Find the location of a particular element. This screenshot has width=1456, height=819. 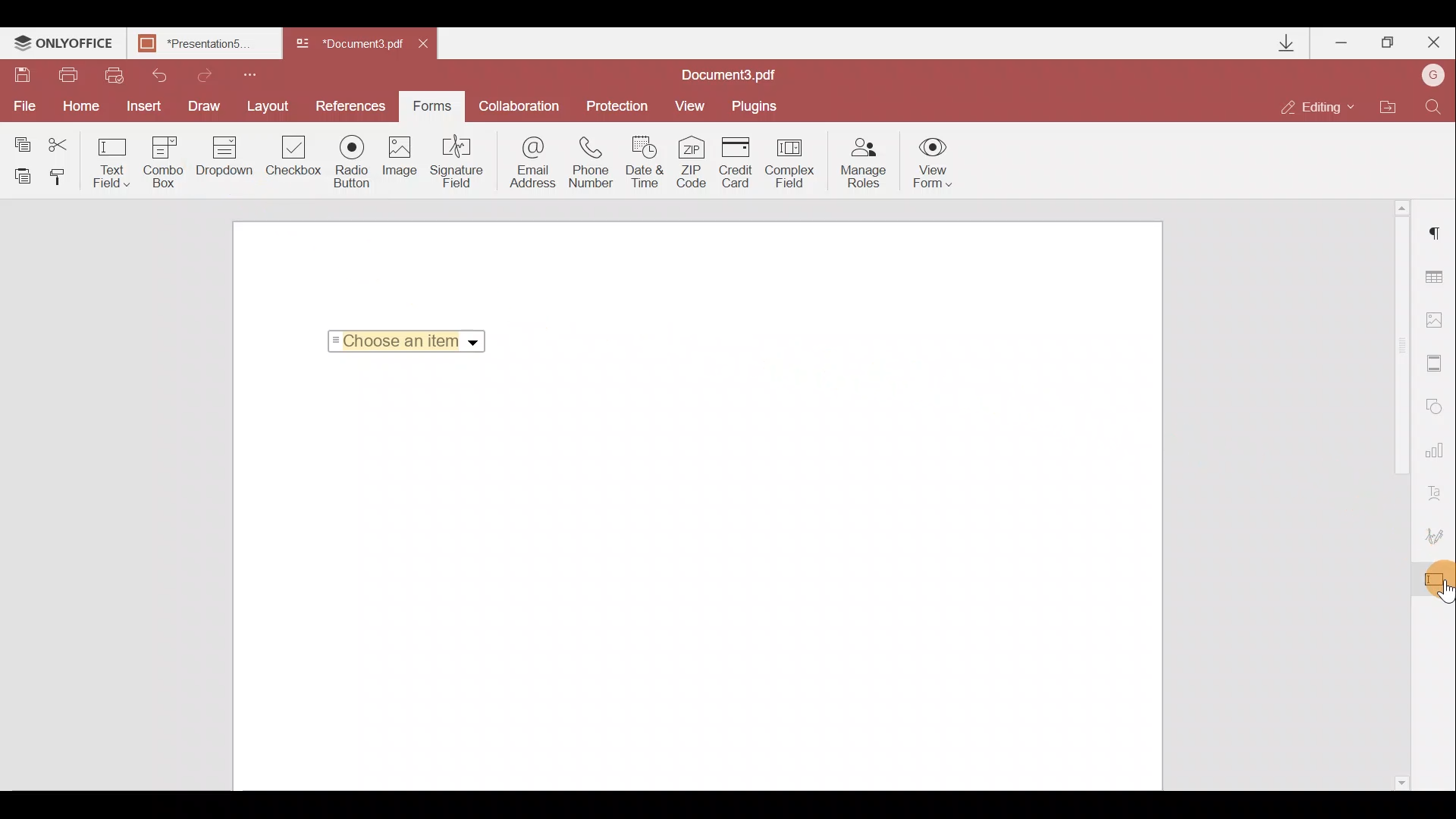

Cut is located at coordinates (60, 140).